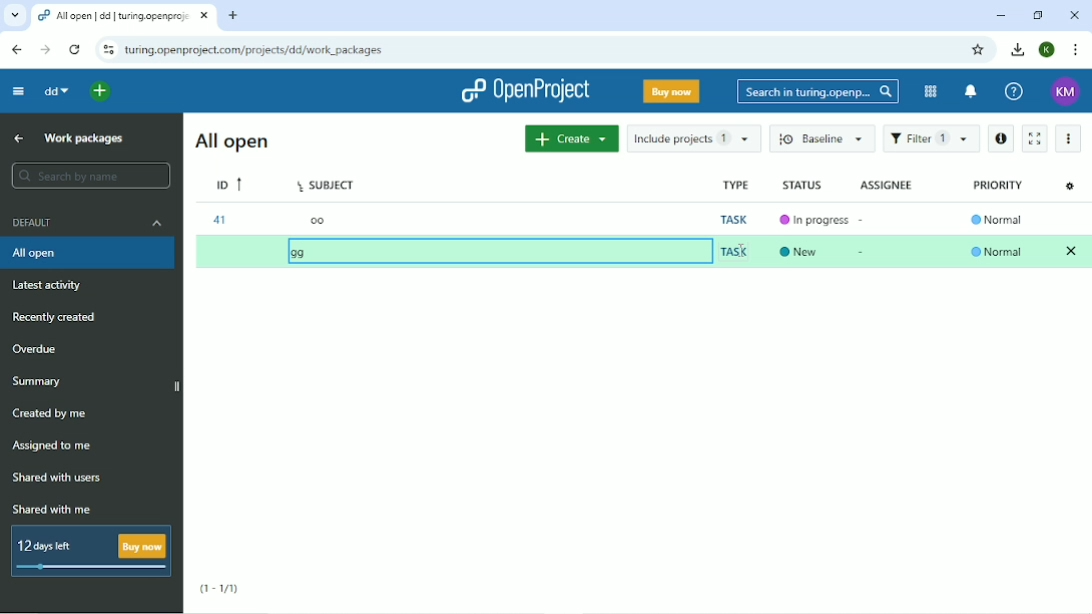 The image size is (1092, 614). What do you see at coordinates (58, 477) in the screenshot?
I see `Shared with users` at bounding box center [58, 477].